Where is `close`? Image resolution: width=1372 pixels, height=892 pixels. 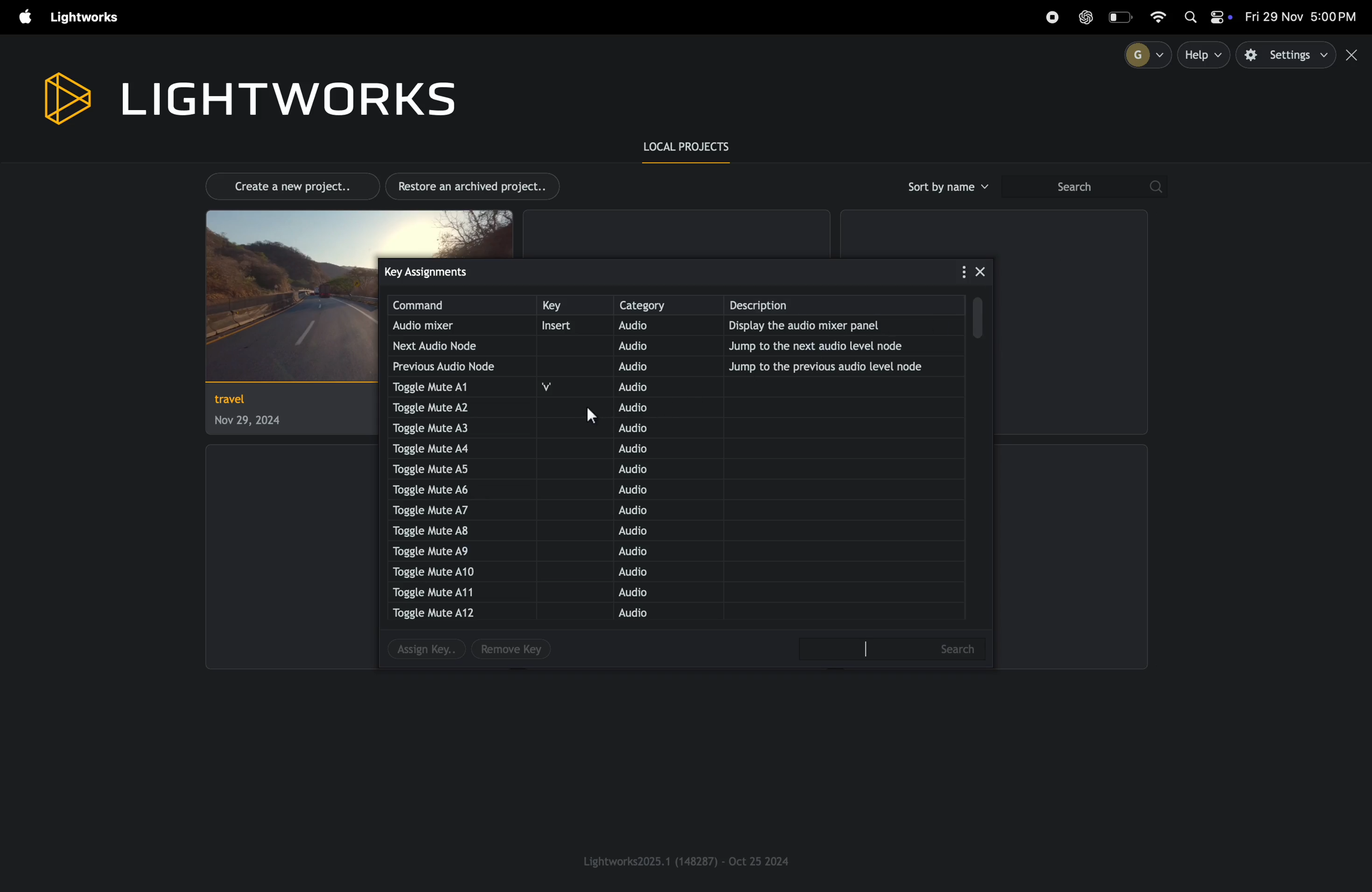 close is located at coordinates (1354, 55).